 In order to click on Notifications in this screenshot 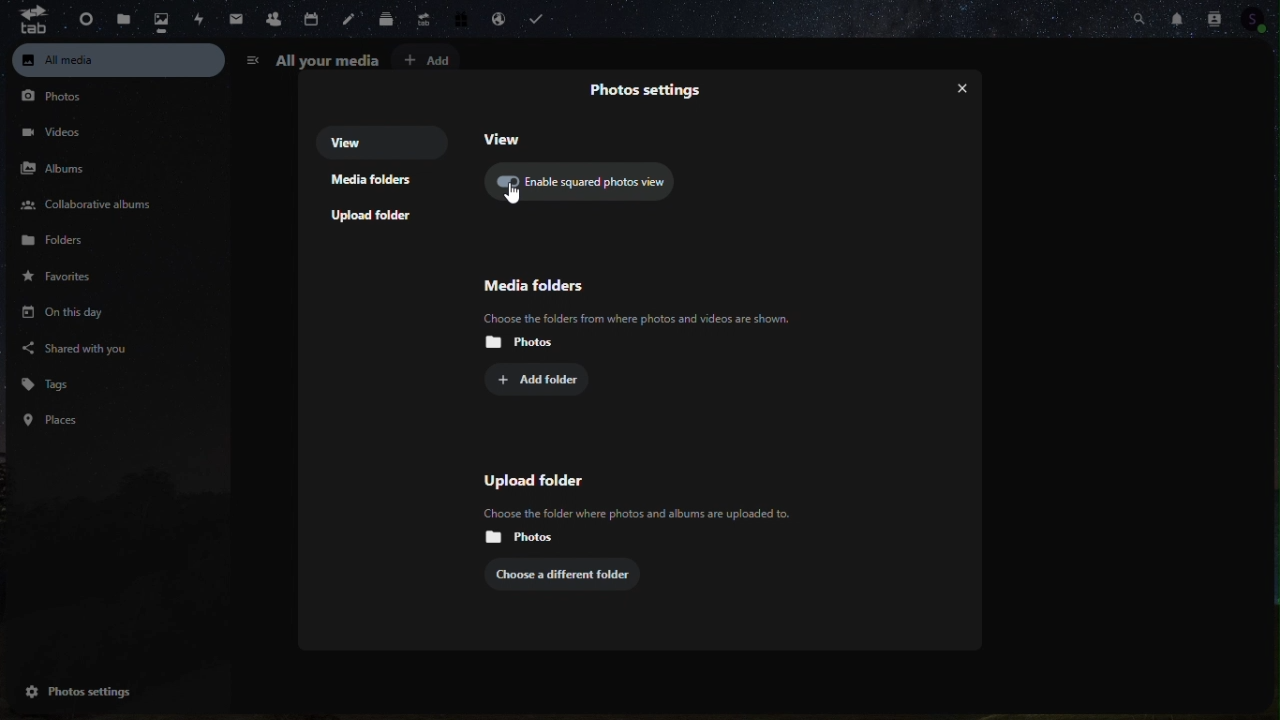, I will do `click(1179, 16)`.